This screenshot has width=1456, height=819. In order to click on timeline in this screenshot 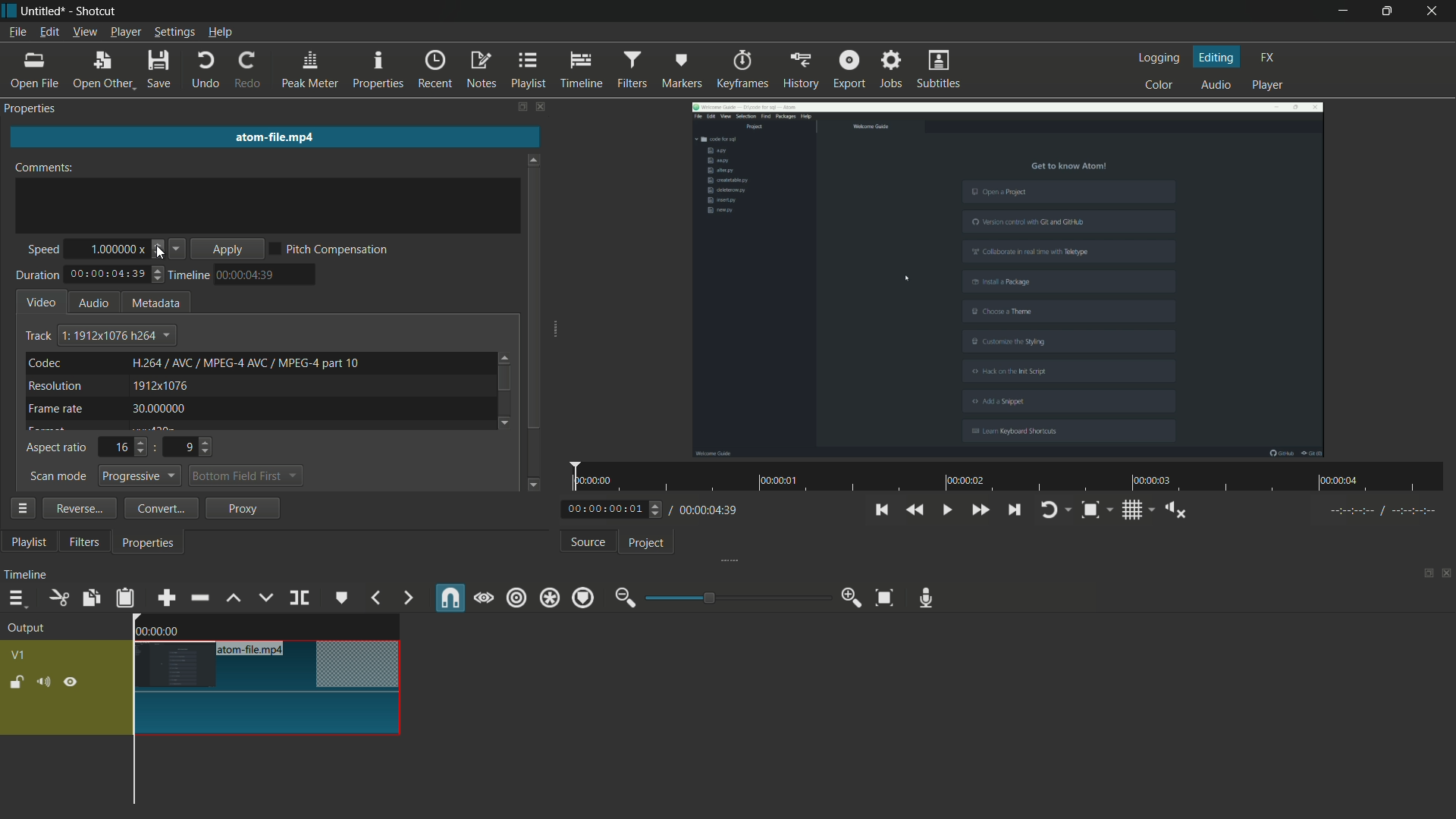, I will do `click(190, 275)`.